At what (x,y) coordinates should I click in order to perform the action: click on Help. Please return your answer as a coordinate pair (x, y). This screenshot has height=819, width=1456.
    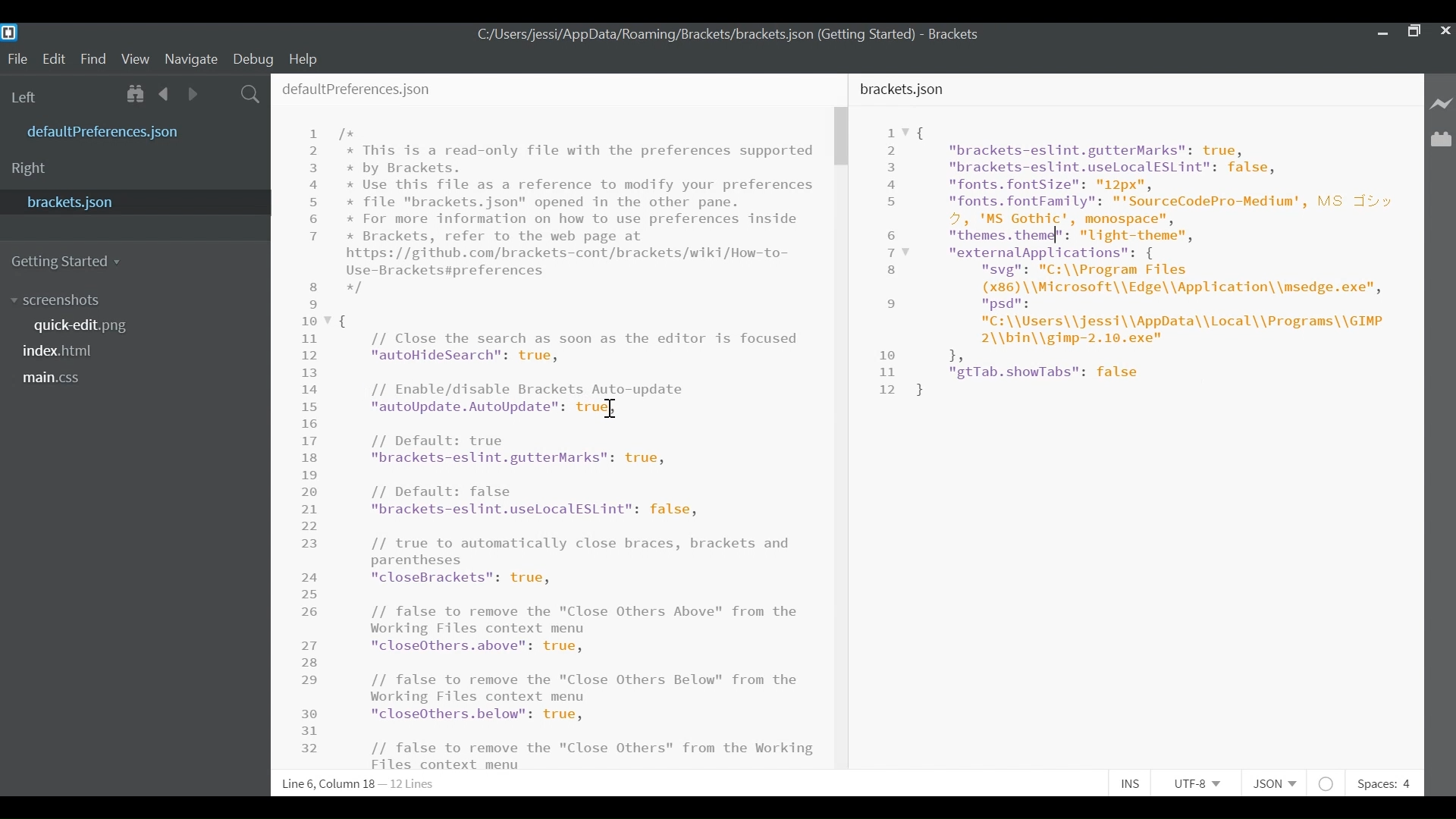
    Looking at the image, I should click on (311, 58).